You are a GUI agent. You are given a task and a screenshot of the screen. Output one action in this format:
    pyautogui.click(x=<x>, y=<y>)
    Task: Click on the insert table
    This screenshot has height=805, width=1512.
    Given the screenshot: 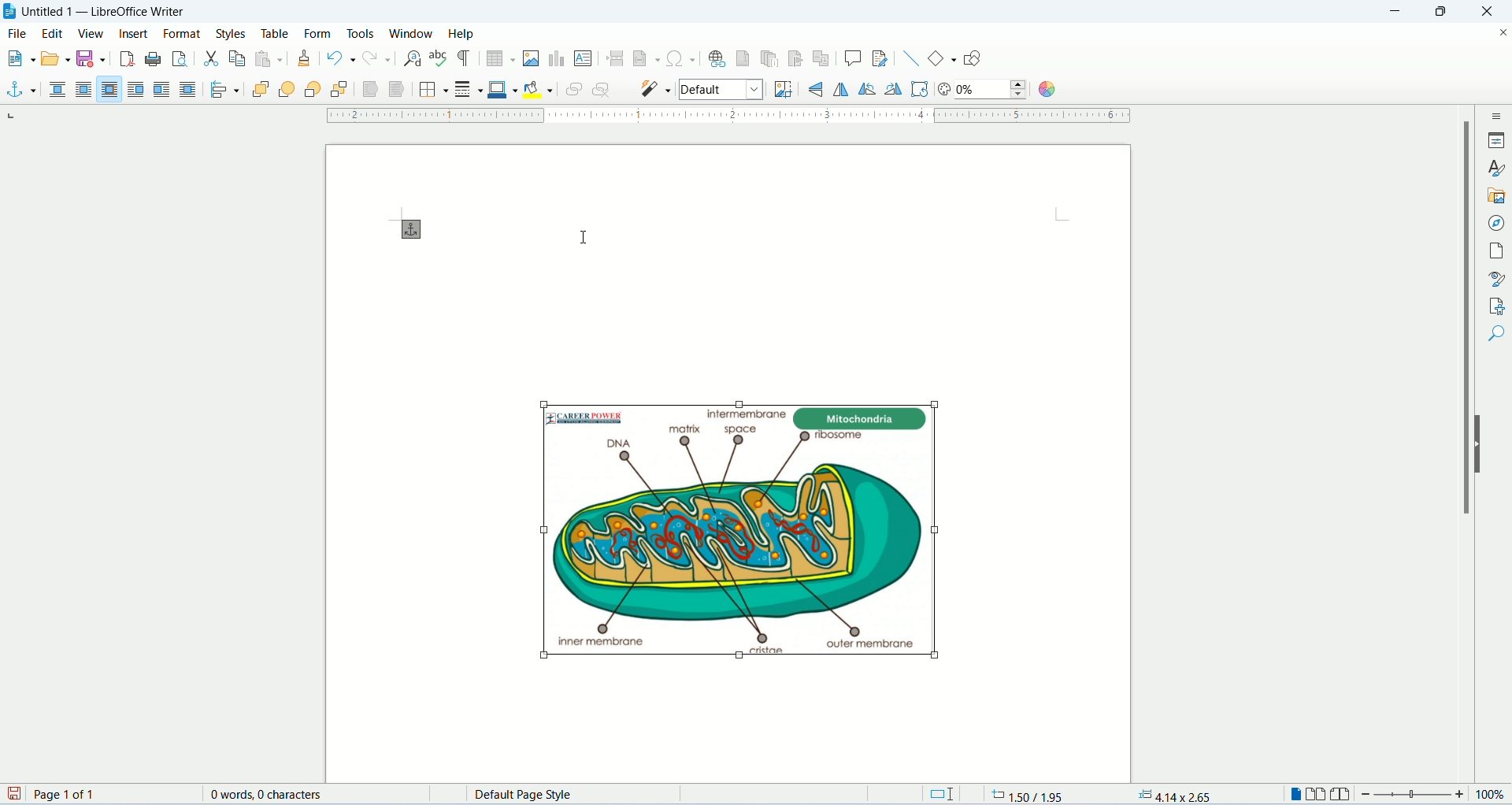 What is the action you would take?
    pyautogui.click(x=501, y=59)
    